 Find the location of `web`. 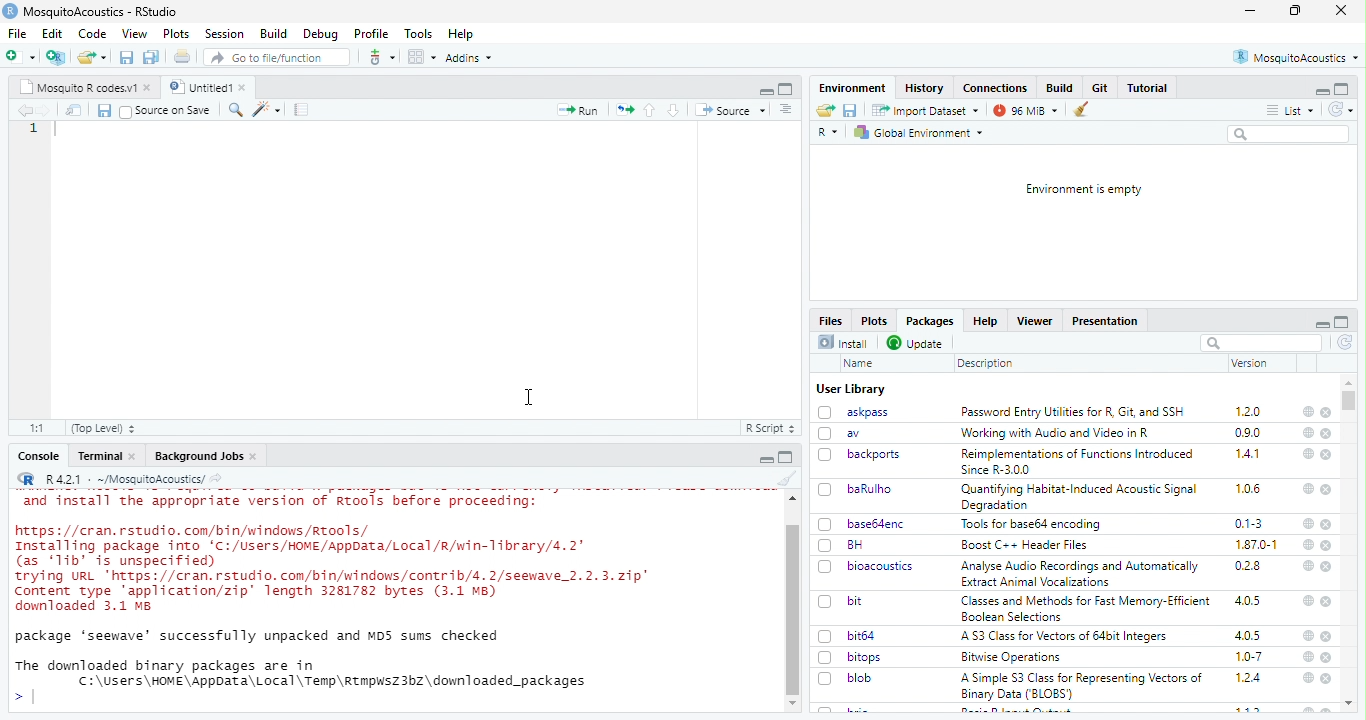

web is located at coordinates (1309, 678).